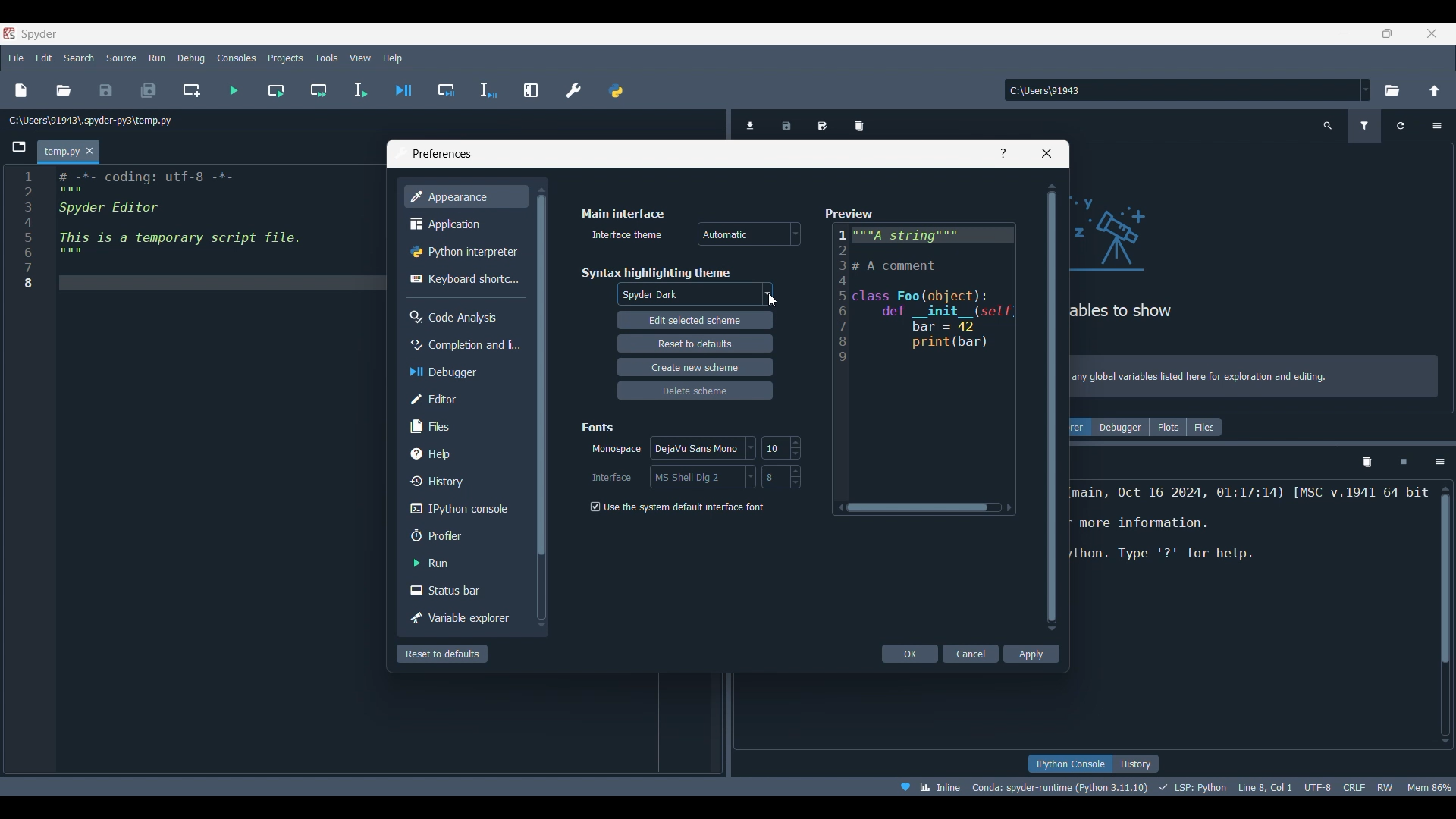 The height and width of the screenshot is (819, 1456). Describe the element at coordinates (911, 654) in the screenshot. I see `OK` at that location.